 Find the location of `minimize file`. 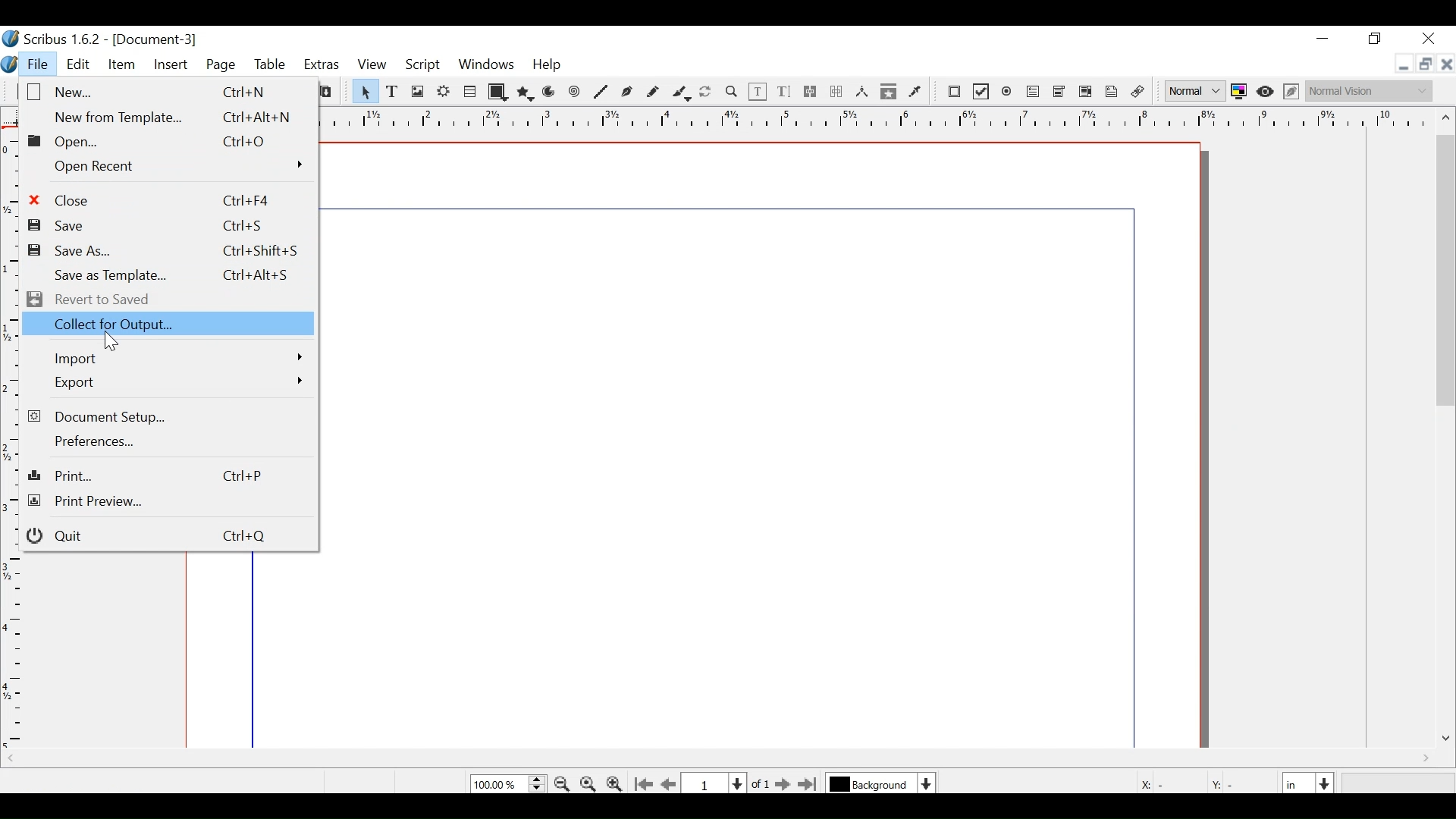

minimize file is located at coordinates (1401, 64).